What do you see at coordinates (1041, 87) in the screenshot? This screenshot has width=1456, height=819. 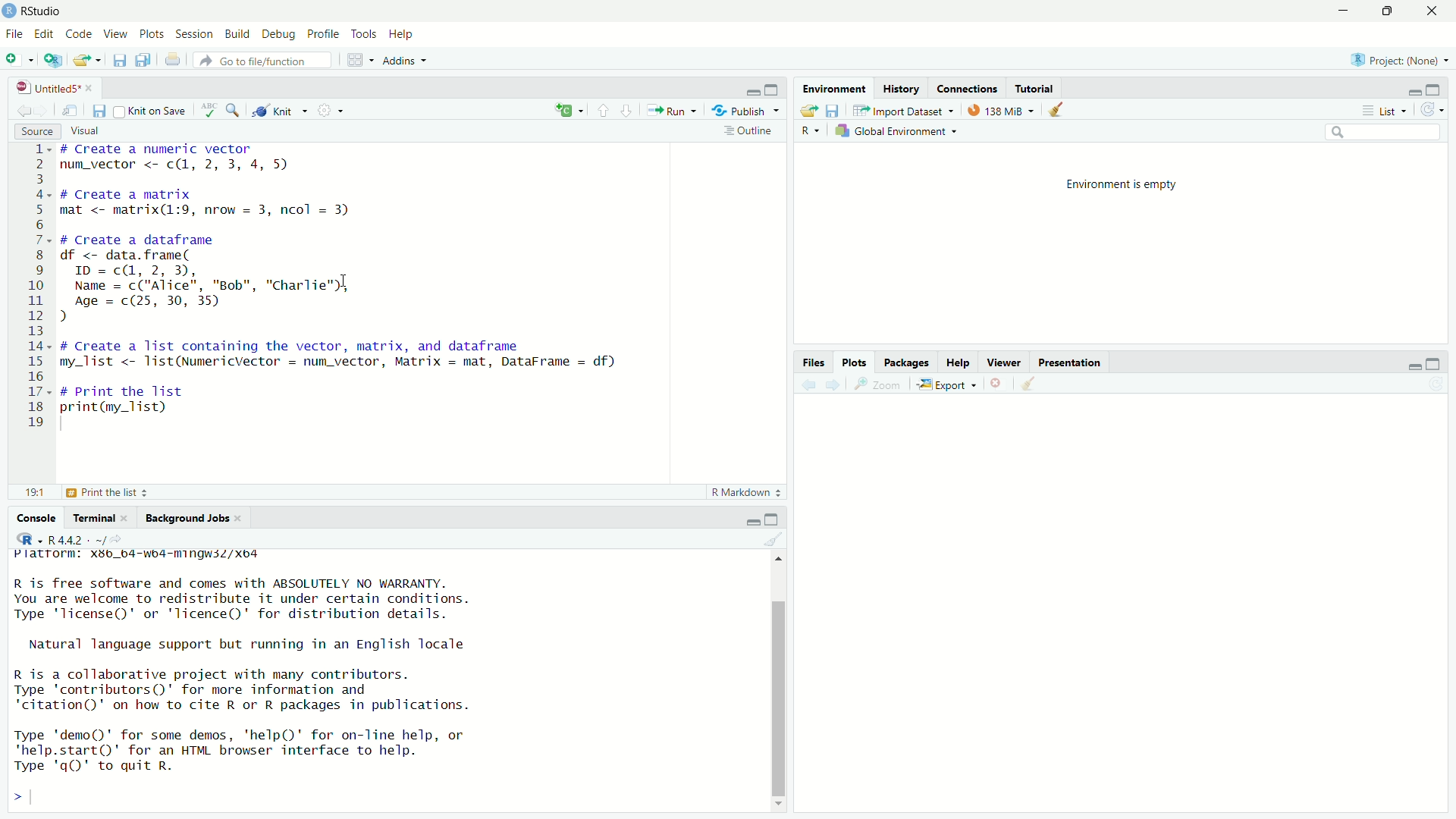 I see `Tutorial` at bounding box center [1041, 87].